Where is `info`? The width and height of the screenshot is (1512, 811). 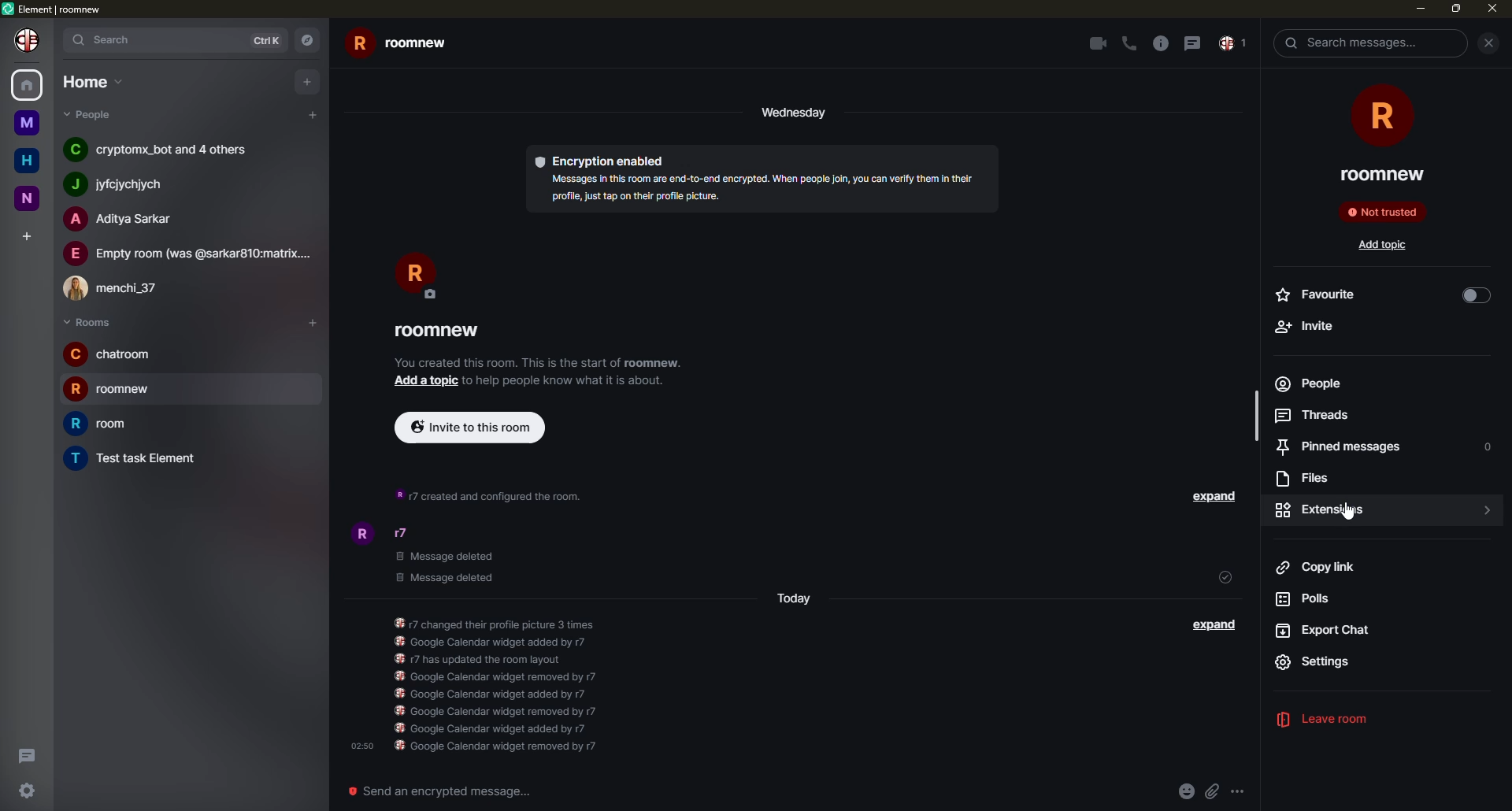
info is located at coordinates (1162, 44).